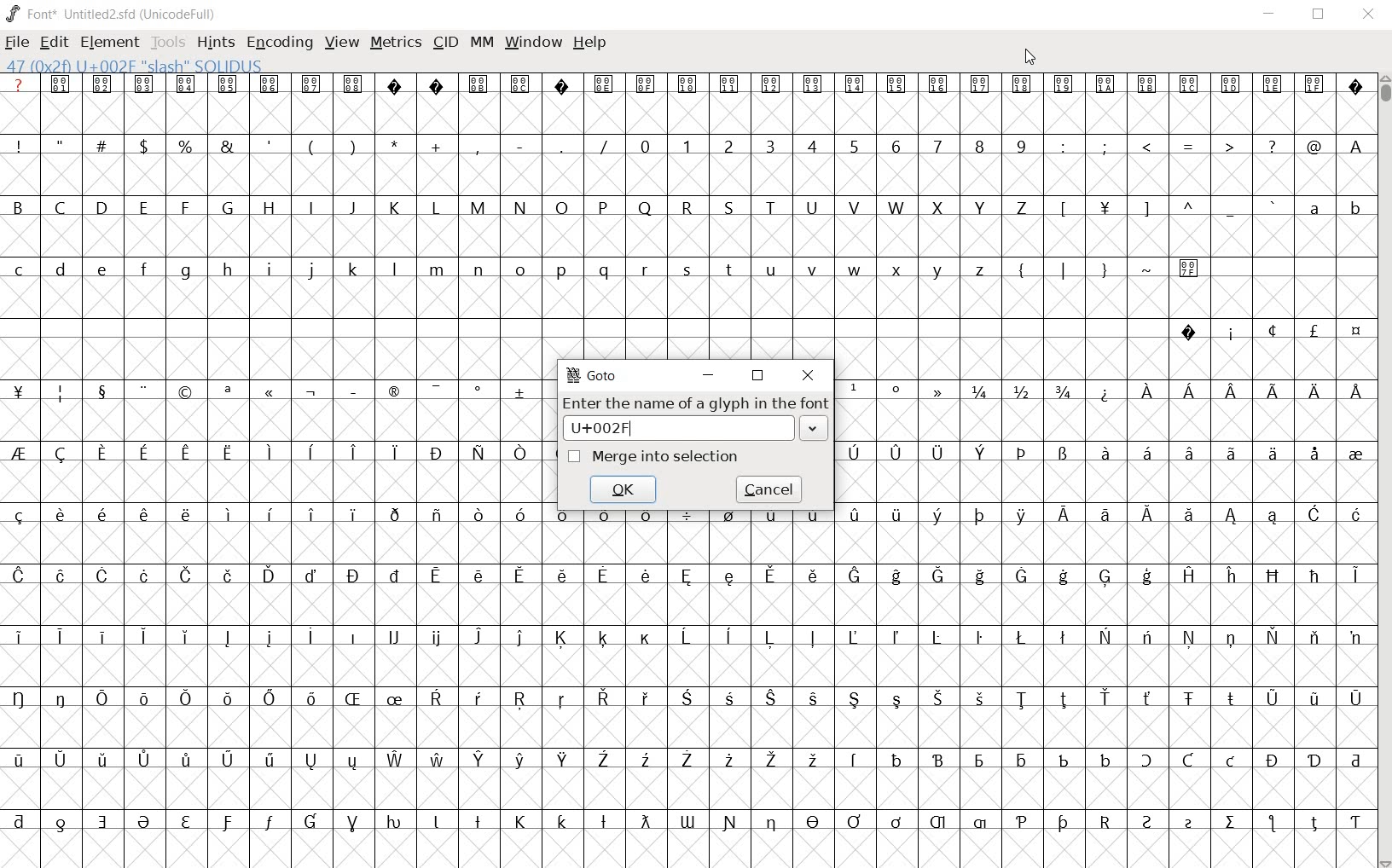 Image resolution: width=1392 pixels, height=868 pixels. What do you see at coordinates (624, 491) in the screenshot?
I see `ok` at bounding box center [624, 491].